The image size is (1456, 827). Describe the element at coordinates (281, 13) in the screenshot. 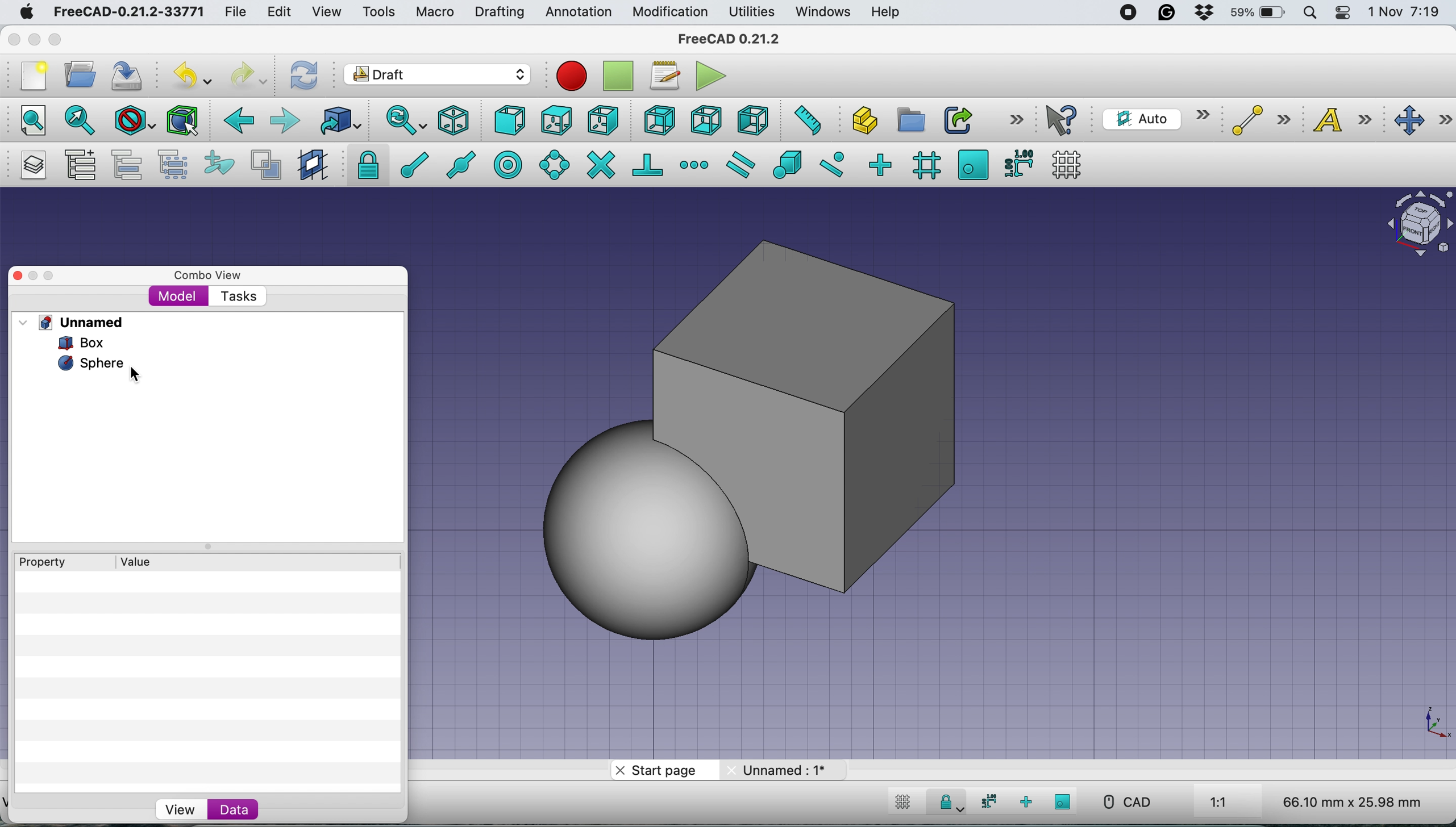

I see `edit` at that location.